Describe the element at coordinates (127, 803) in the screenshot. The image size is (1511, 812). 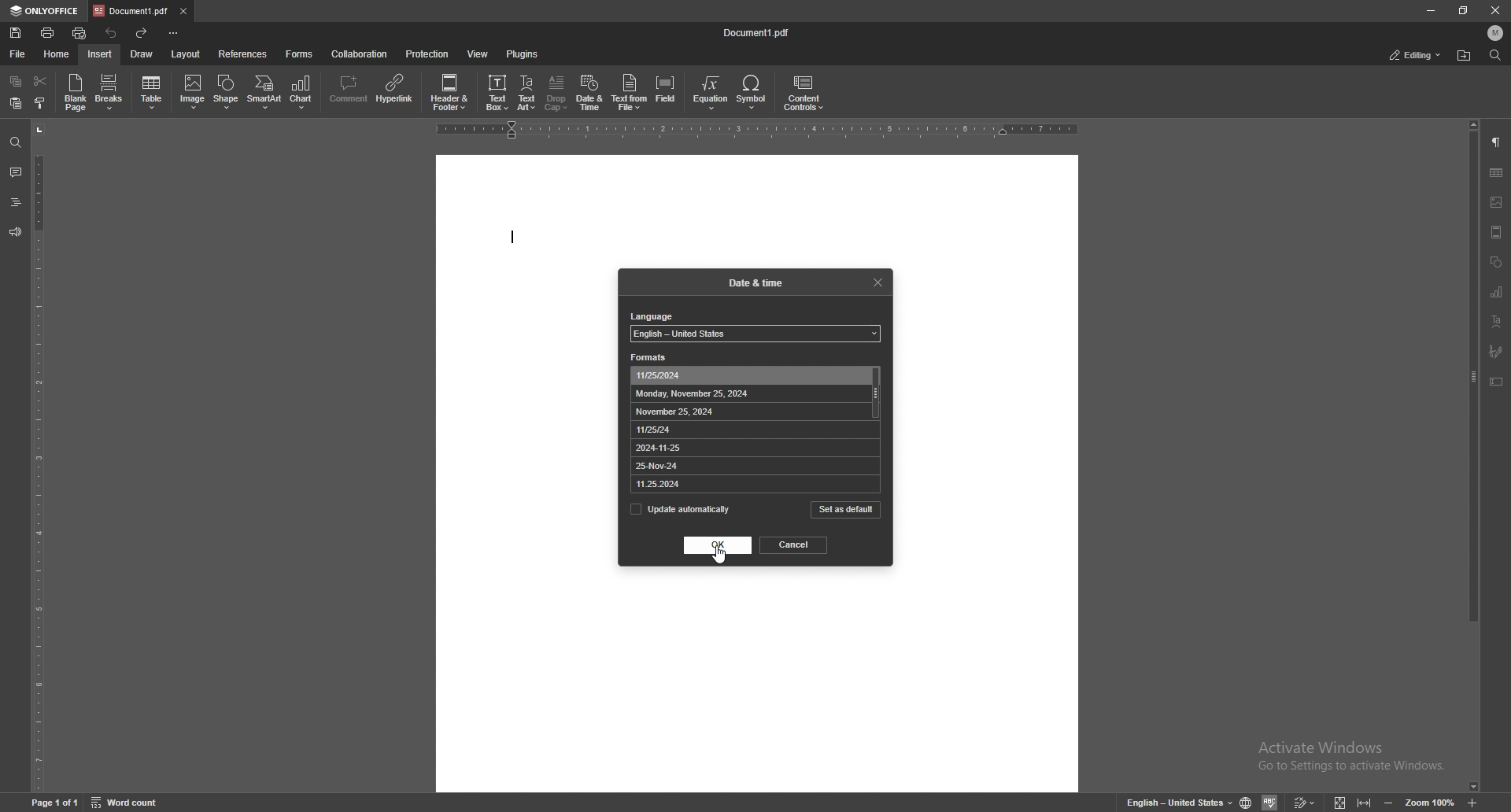
I see `word count` at that location.